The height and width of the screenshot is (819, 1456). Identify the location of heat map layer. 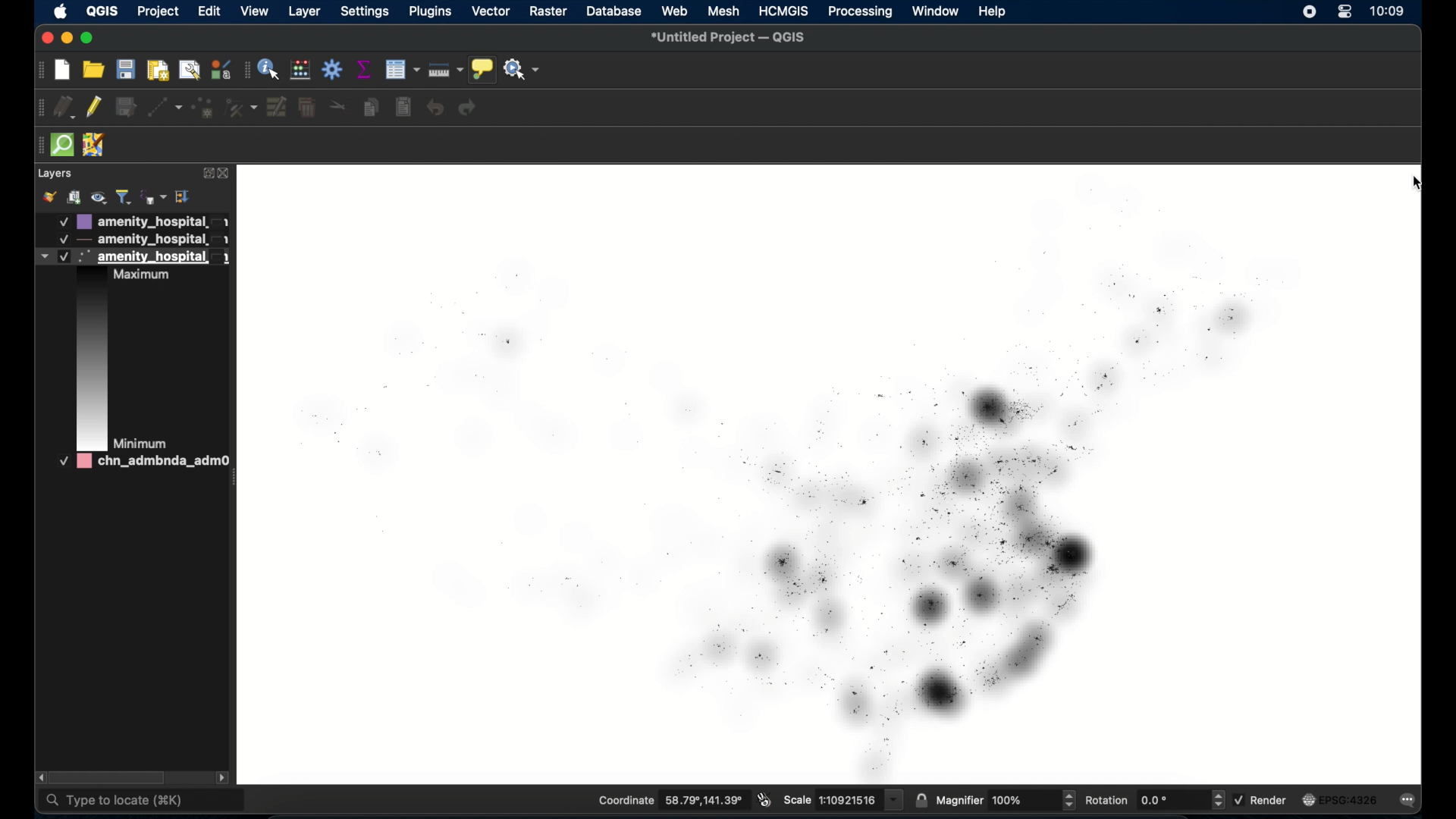
(57, 258).